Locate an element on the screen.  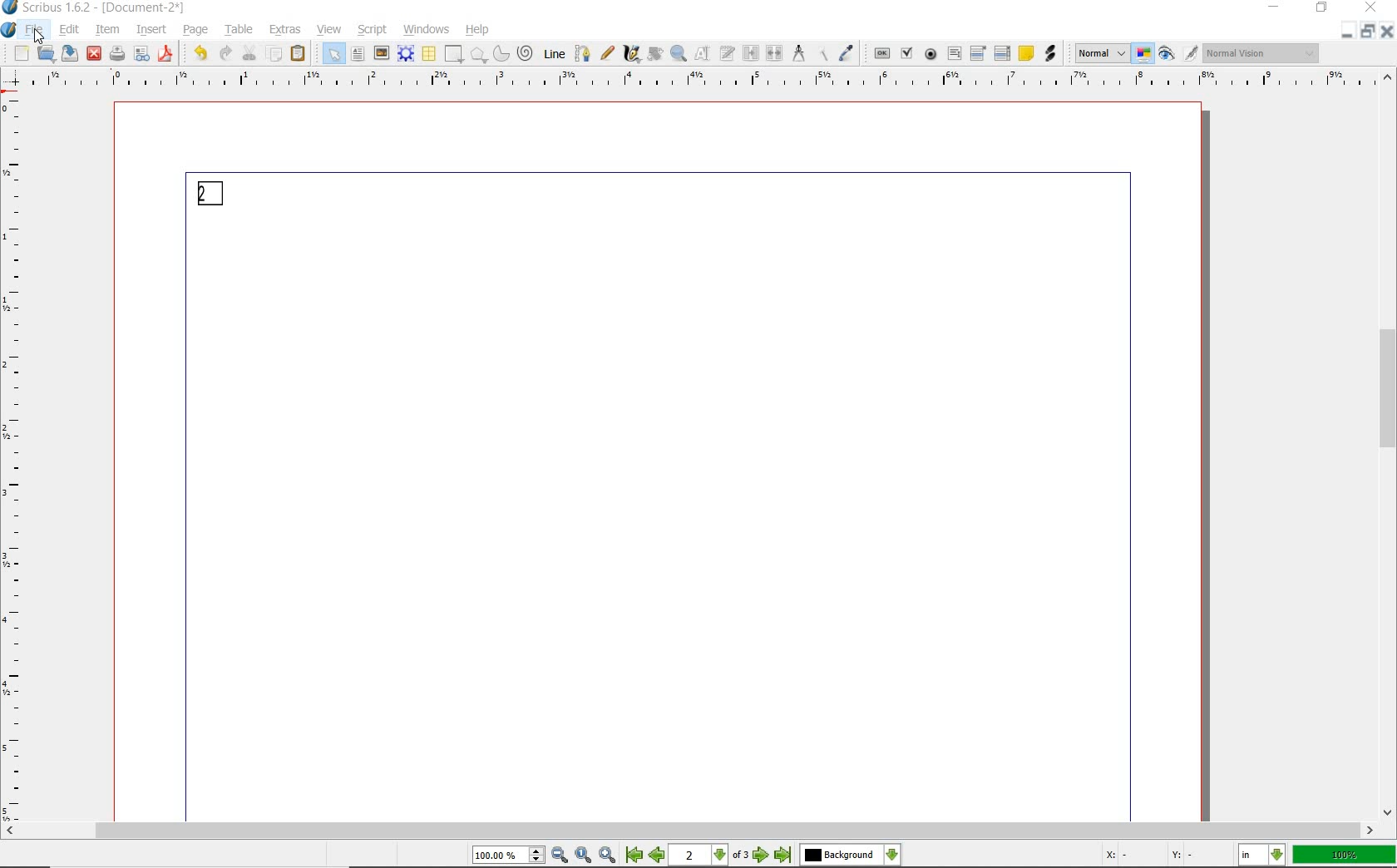
pdf combo box is located at coordinates (979, 55).